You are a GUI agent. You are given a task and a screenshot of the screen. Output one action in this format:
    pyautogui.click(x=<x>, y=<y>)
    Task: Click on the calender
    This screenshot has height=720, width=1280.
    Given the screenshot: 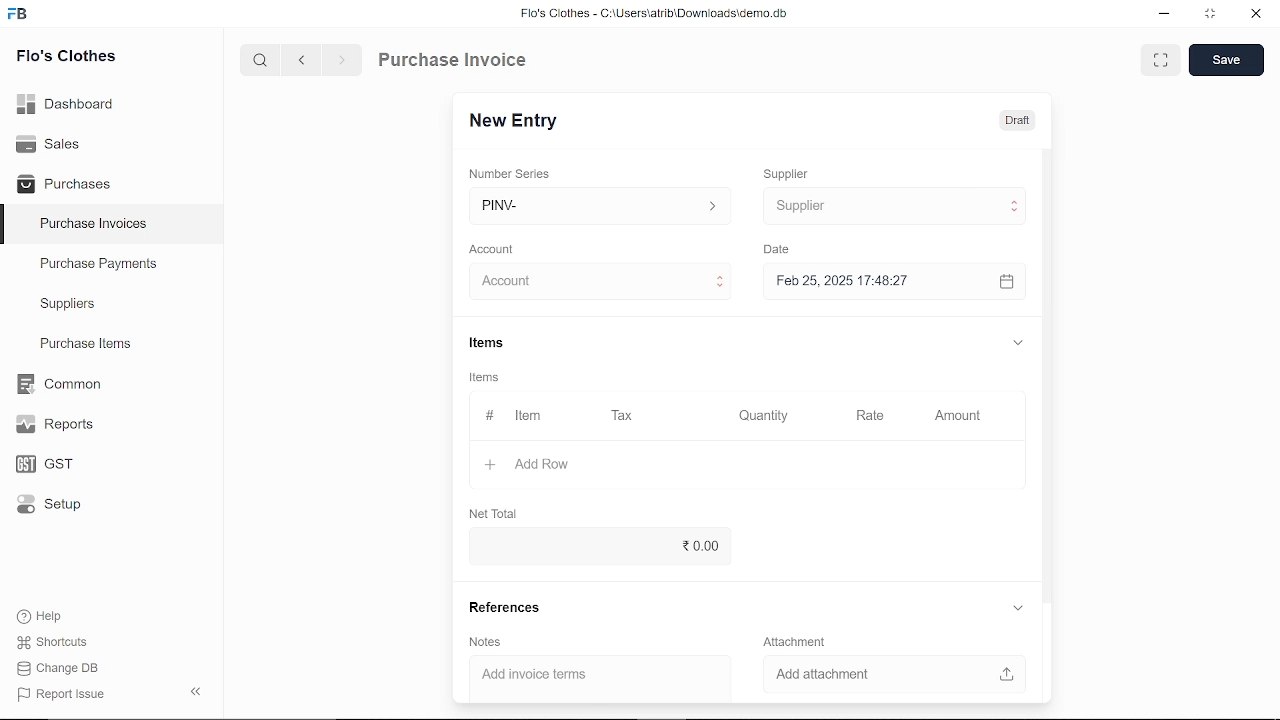 What is the action you would take?
    pyautogui.click(x=1009, y=282)
    